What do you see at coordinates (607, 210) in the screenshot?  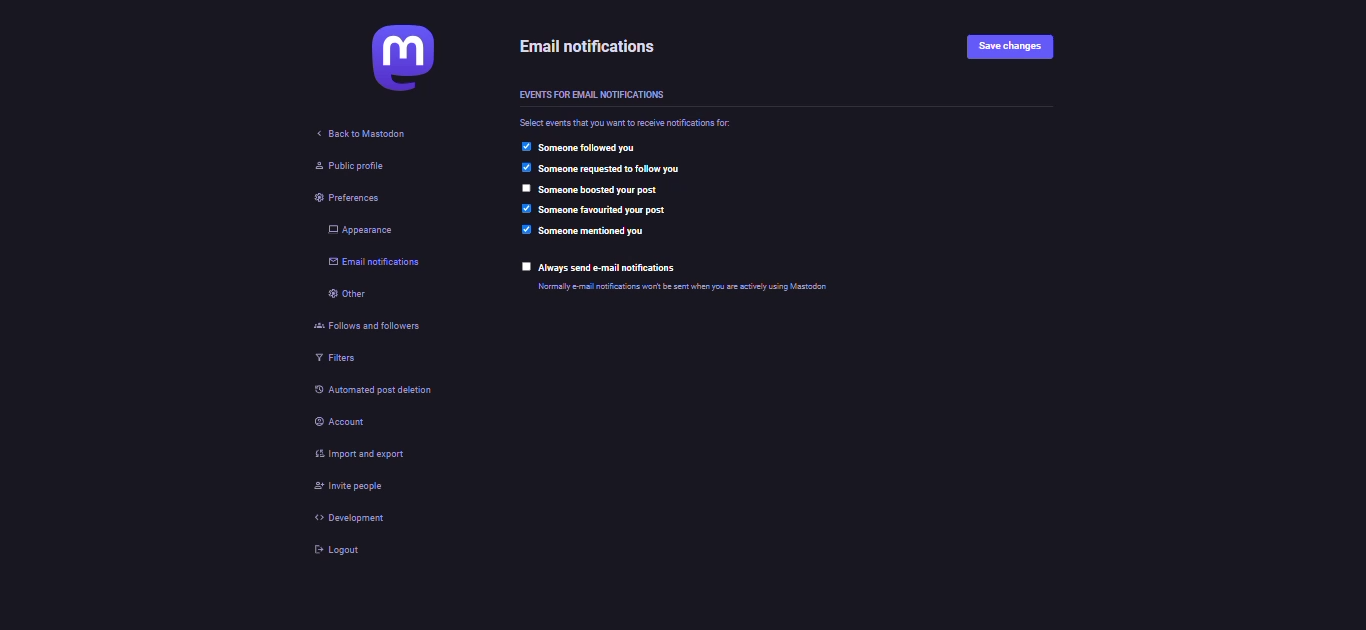 I see `someone favorited your post` at bounding box center [607, 210].